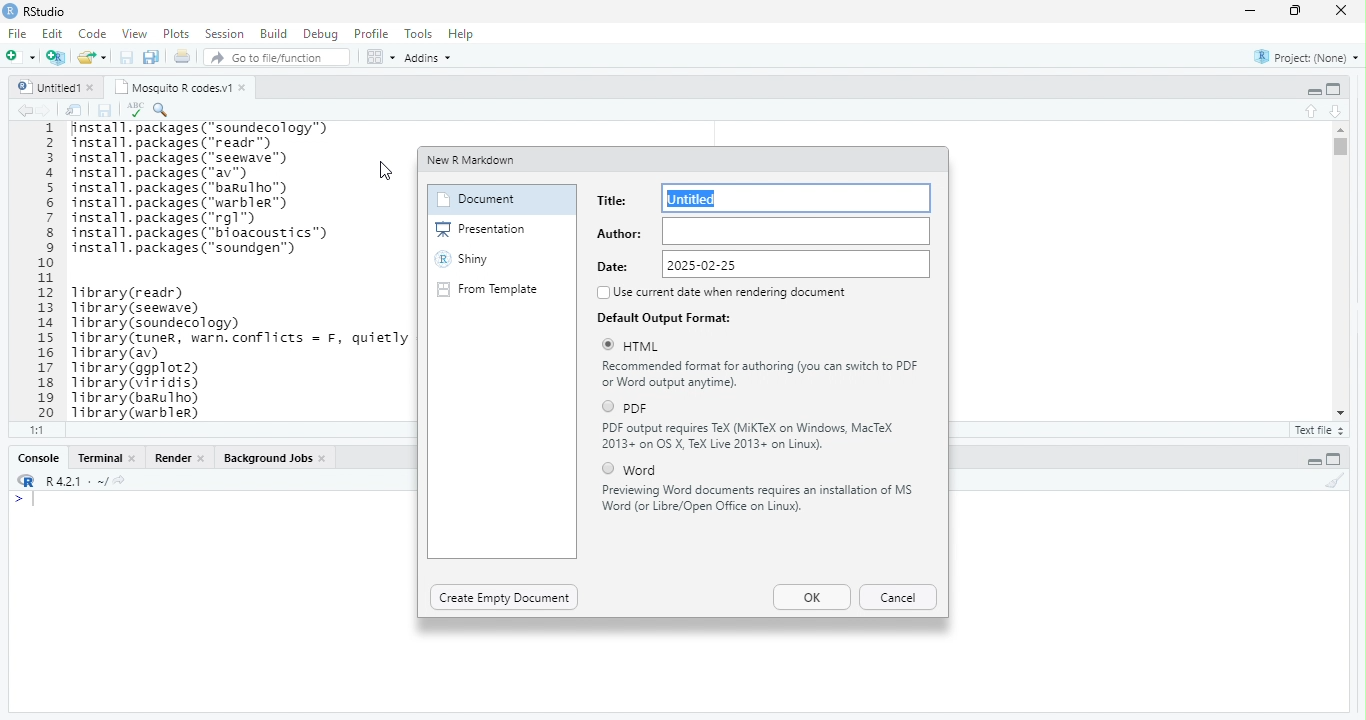 The image size is (1366, 720). What do you see at coordinates (1334, 89) in the screenshot?
I see `full view` at bounding box center [1334, 89].